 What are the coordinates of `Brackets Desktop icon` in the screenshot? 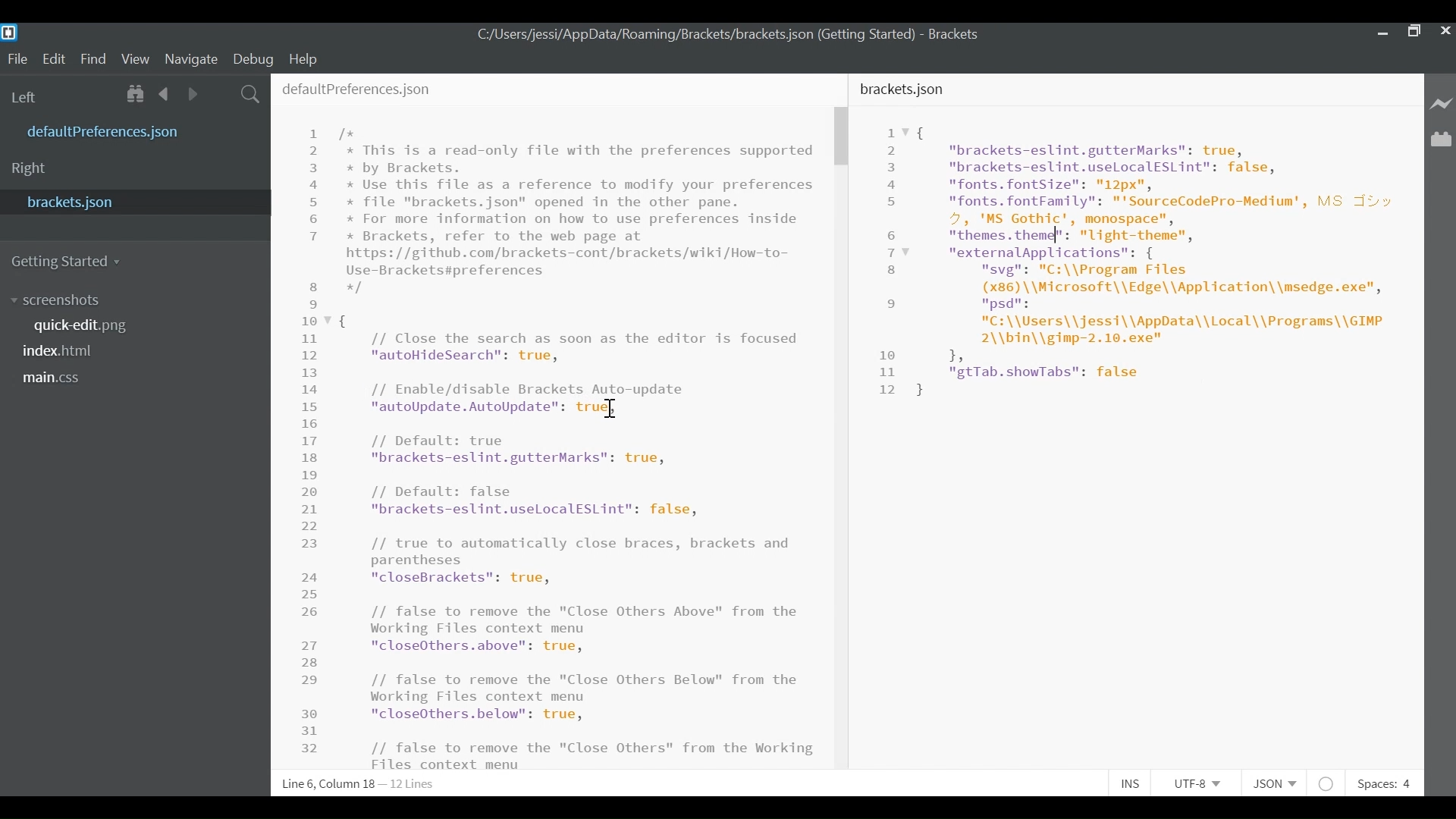 It's located at (14, 32).